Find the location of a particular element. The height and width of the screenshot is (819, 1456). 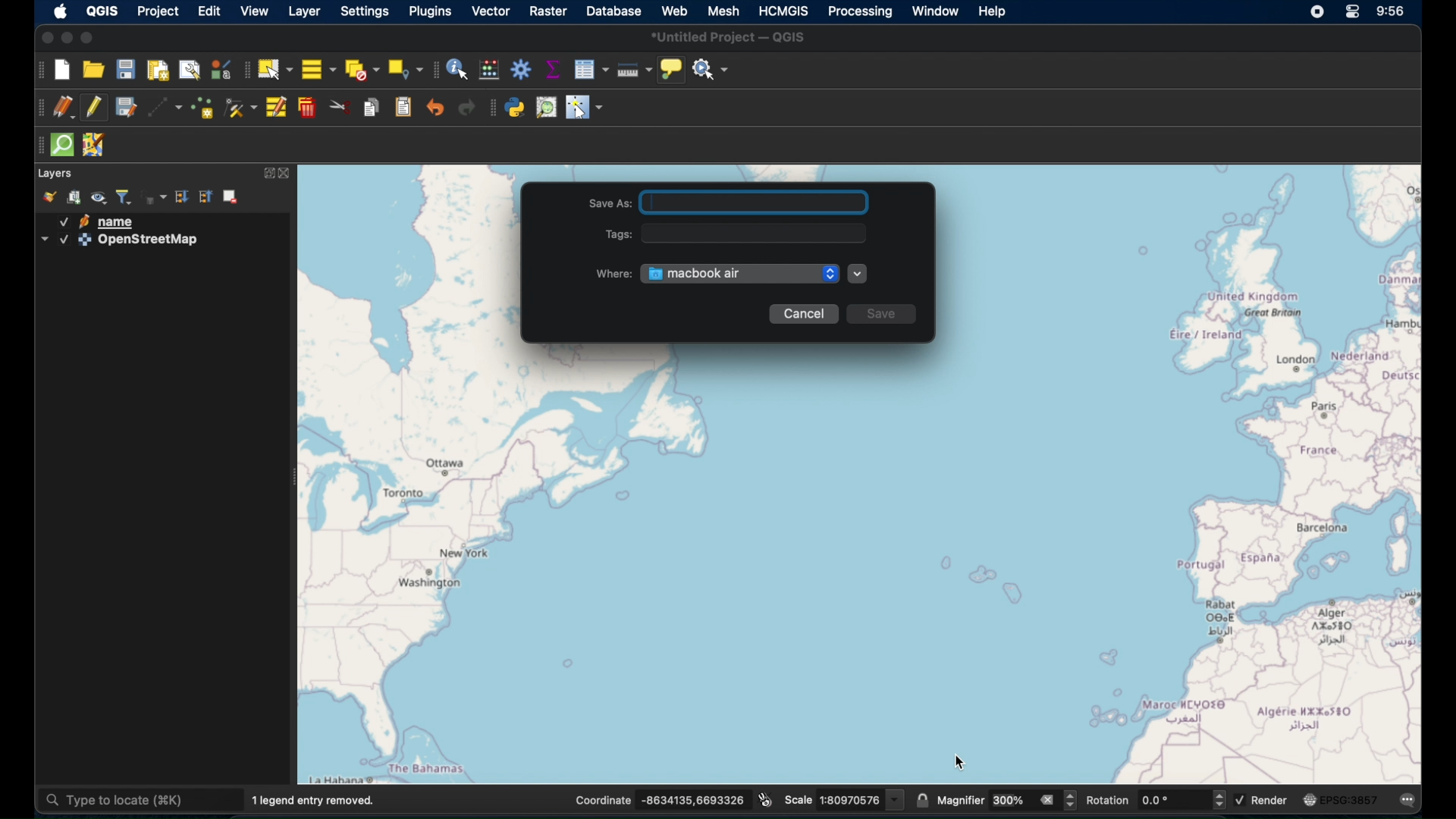

new project is located at coordinates (64, 71).